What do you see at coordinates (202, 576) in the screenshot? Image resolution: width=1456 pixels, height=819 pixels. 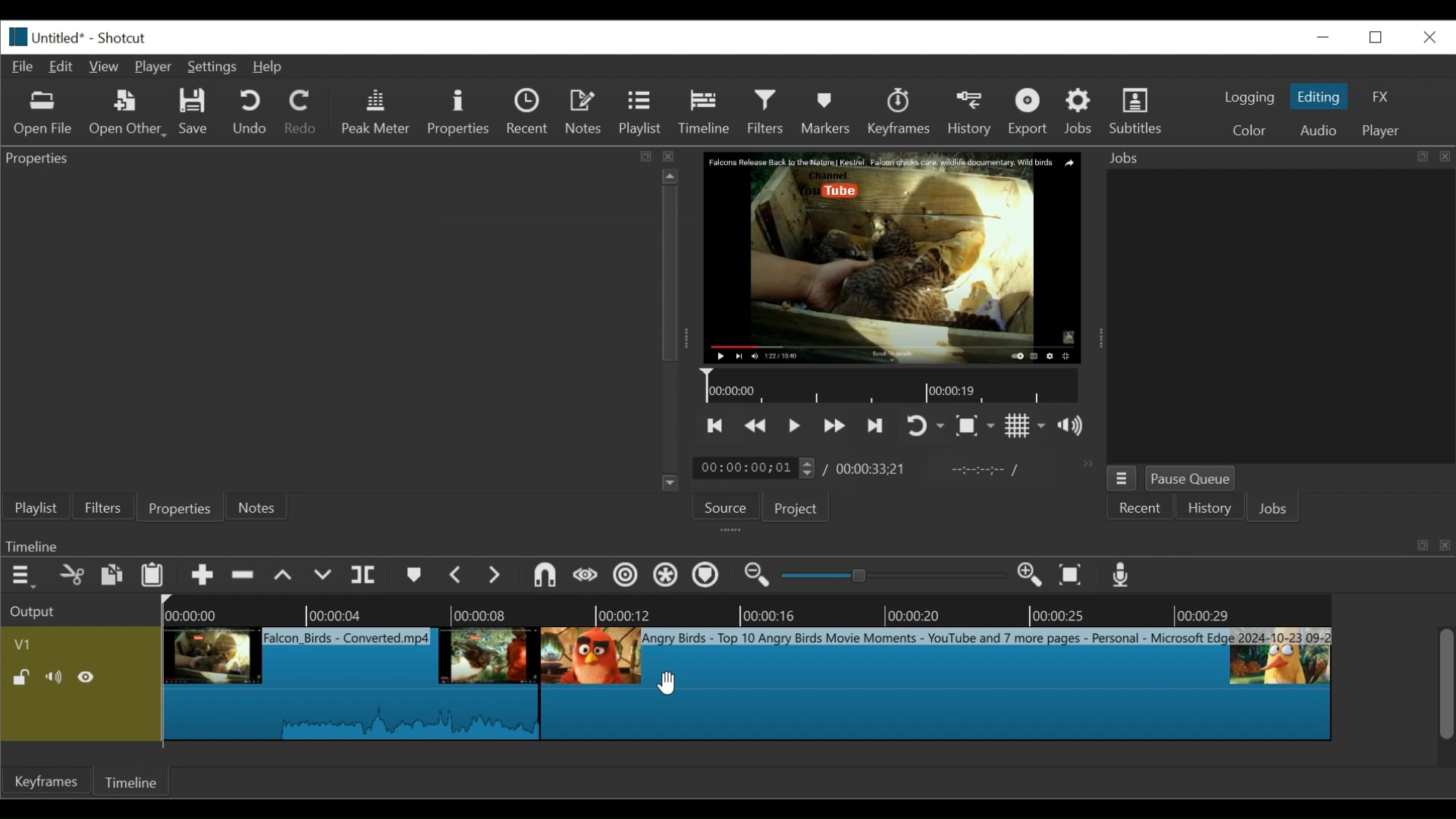 I see `Append` at bounding box center [202, 576].